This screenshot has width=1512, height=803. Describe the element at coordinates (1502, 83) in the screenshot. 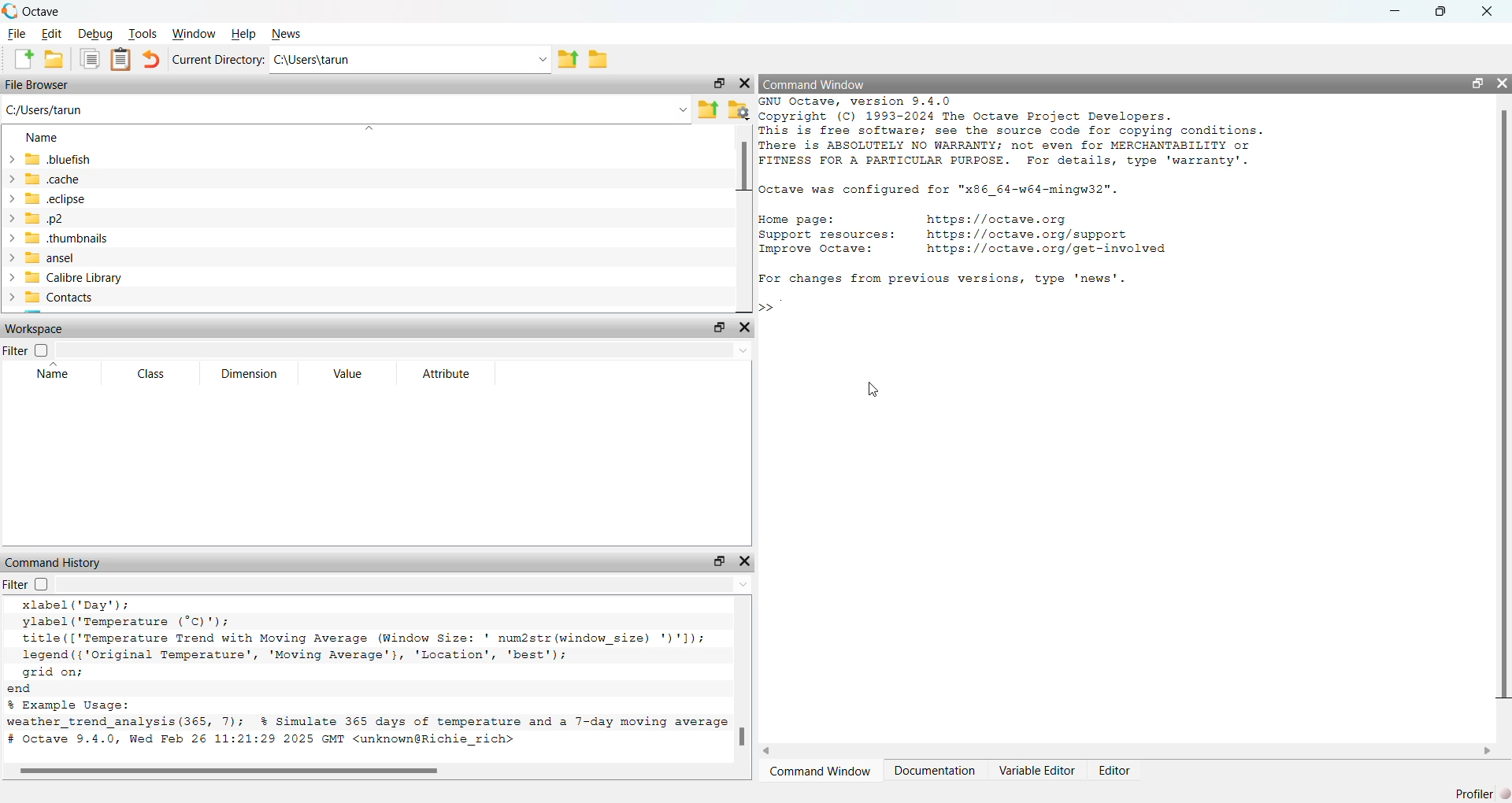

I see `close` at that location.